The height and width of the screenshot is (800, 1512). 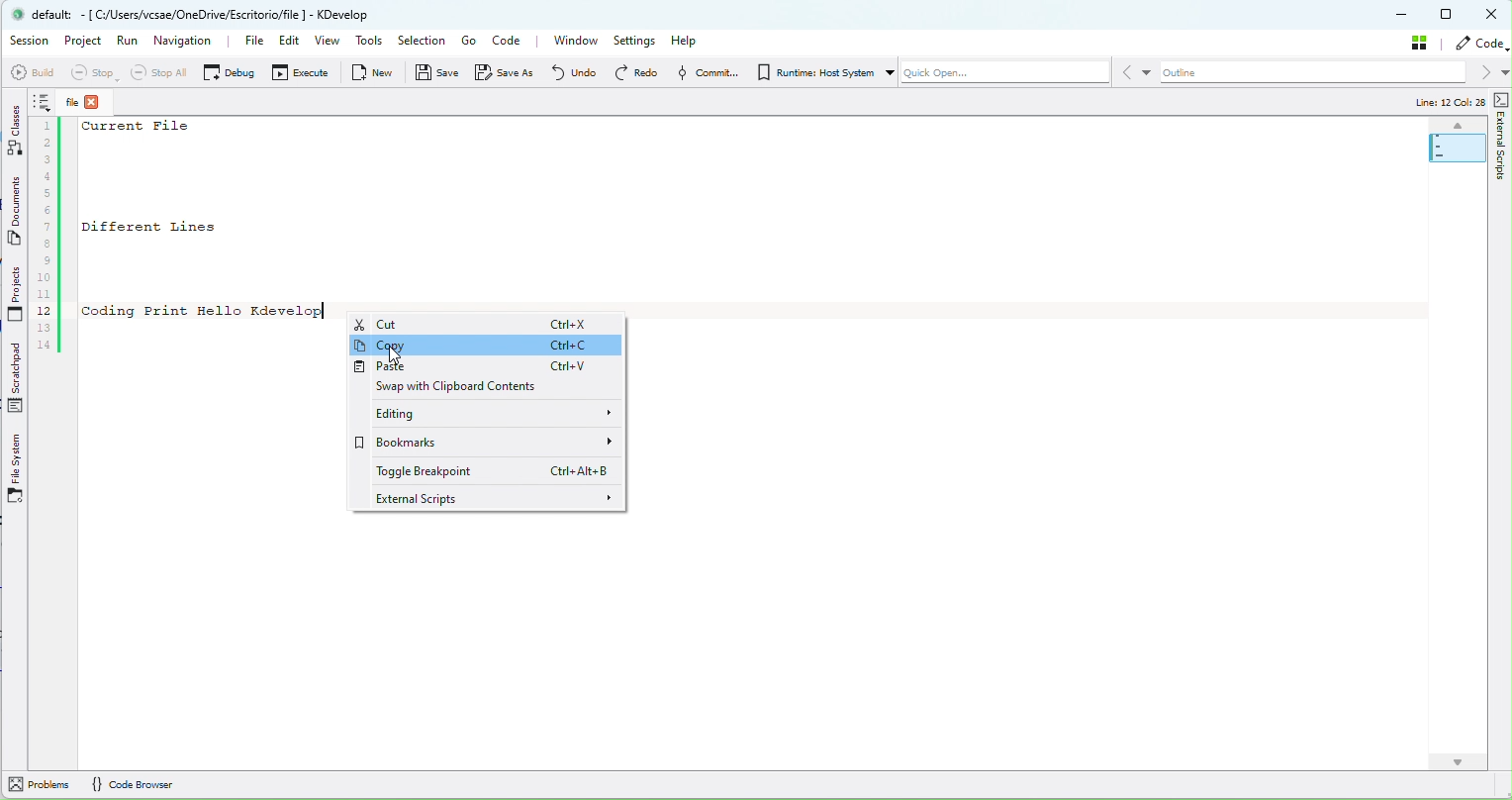 What do you see at coordinates (509, 72) in the screenshot?
I see `Save as` at bounding box center [509, 72].